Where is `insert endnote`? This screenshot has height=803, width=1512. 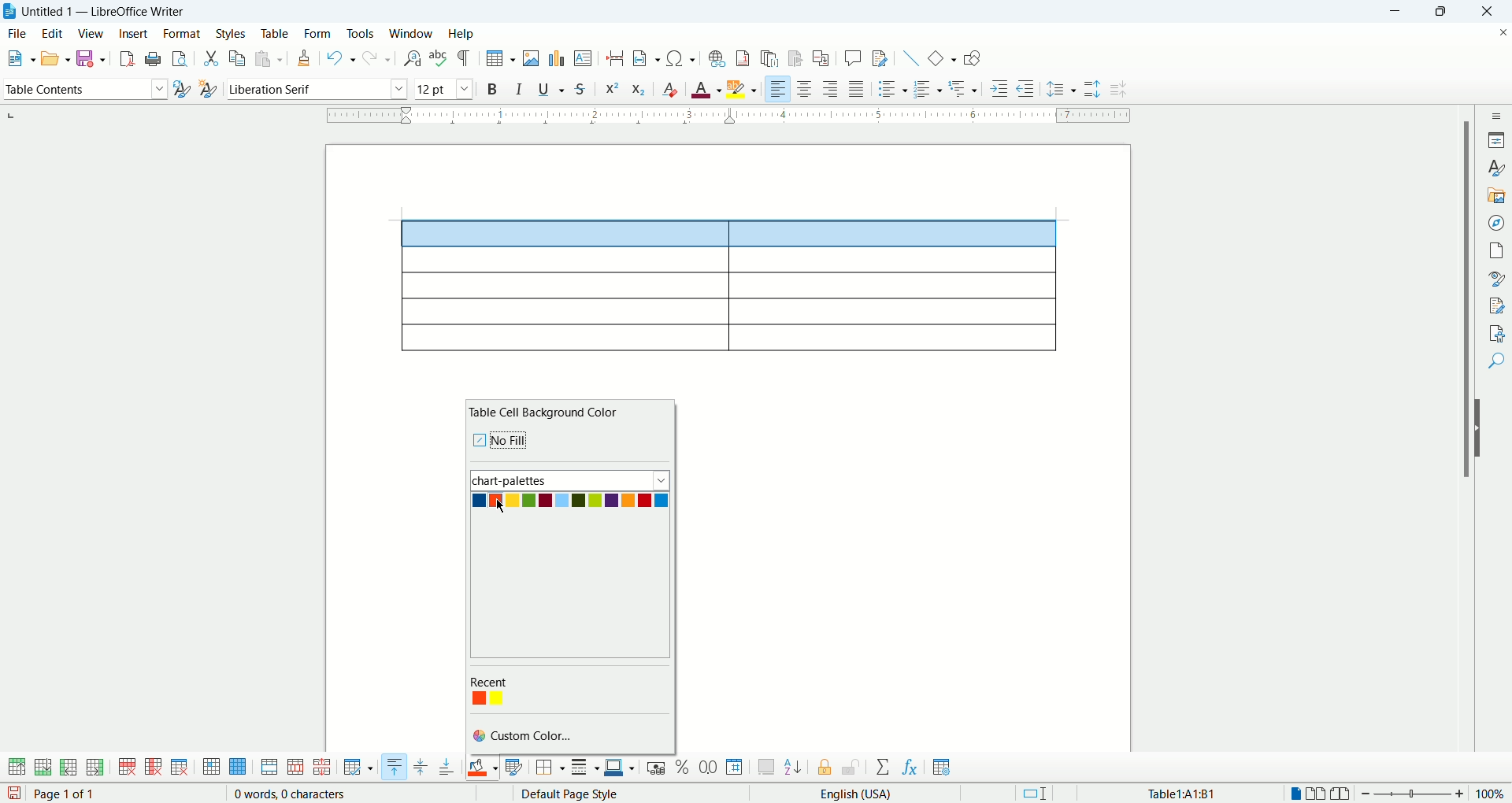
insert endnote is located at coordinates (773, 58).